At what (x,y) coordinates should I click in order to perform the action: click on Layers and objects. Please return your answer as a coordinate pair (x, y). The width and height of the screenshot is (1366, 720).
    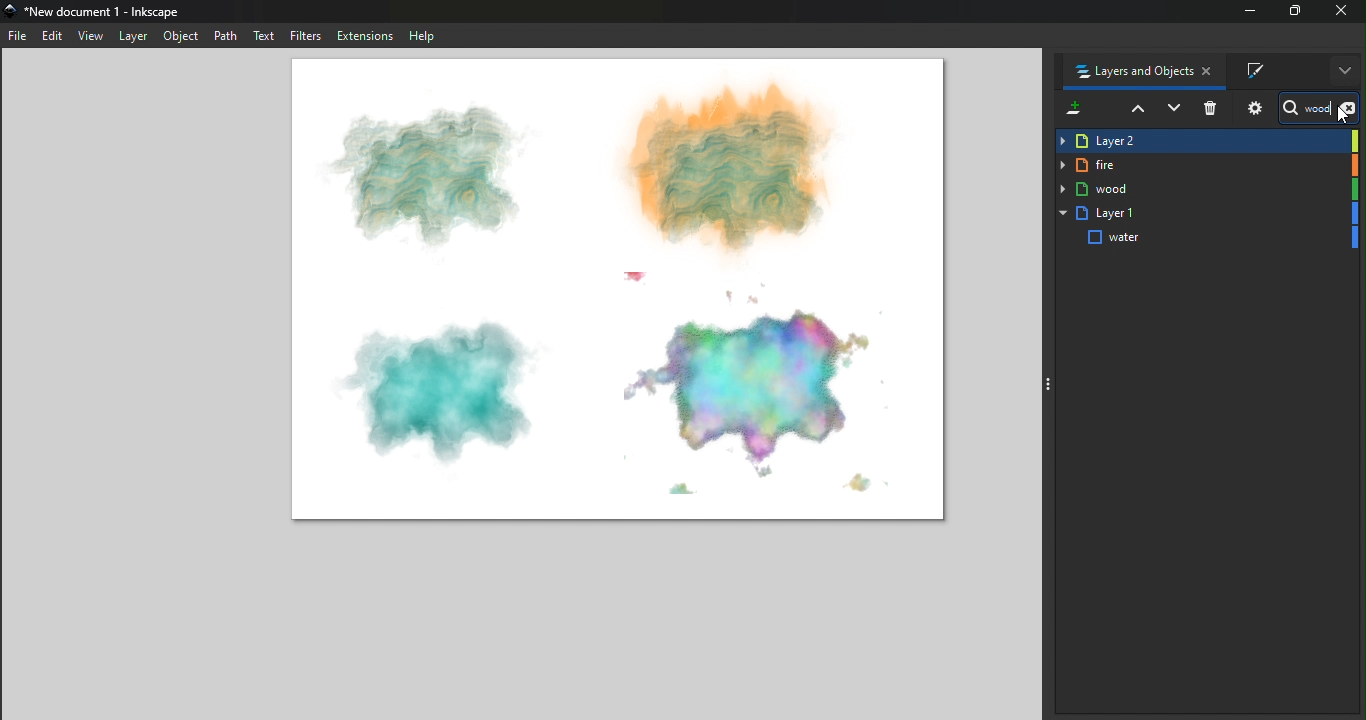
    Looking at the image, I should click on (1137, 70).